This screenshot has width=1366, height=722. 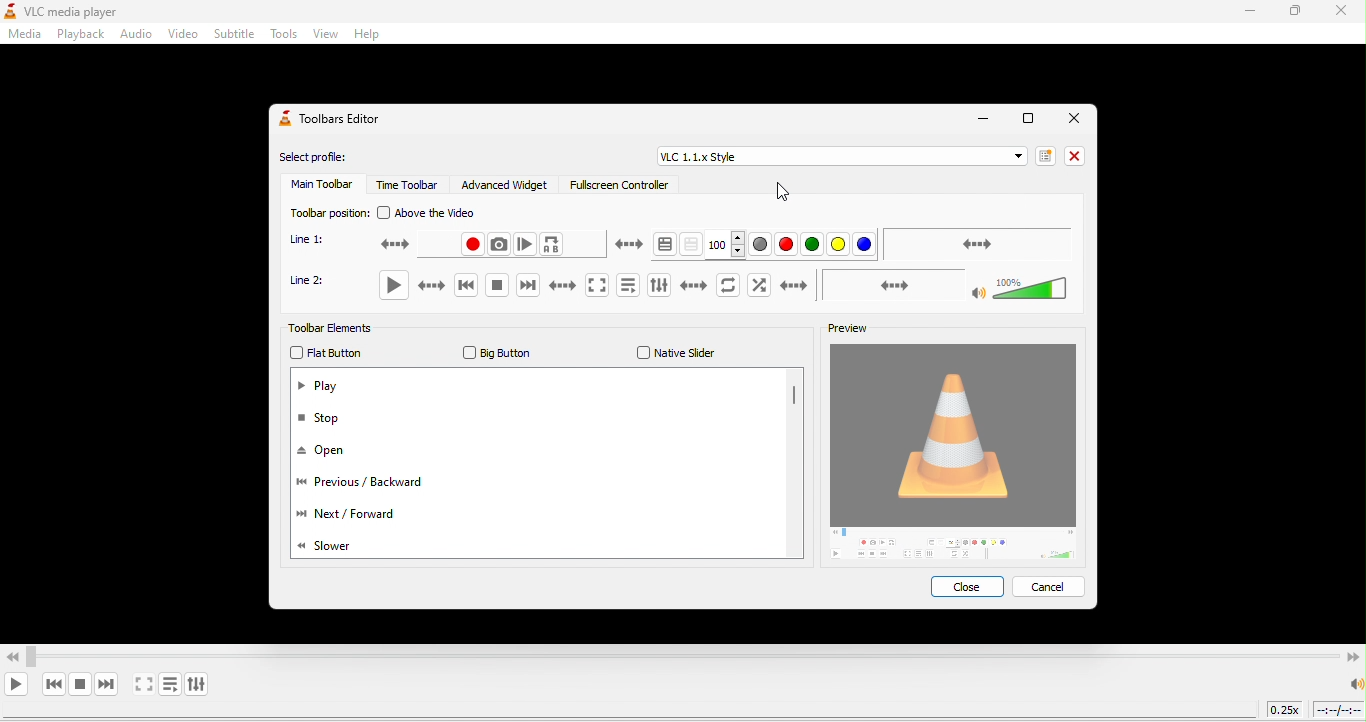 I want to click on help, so click(x=371, y=35).